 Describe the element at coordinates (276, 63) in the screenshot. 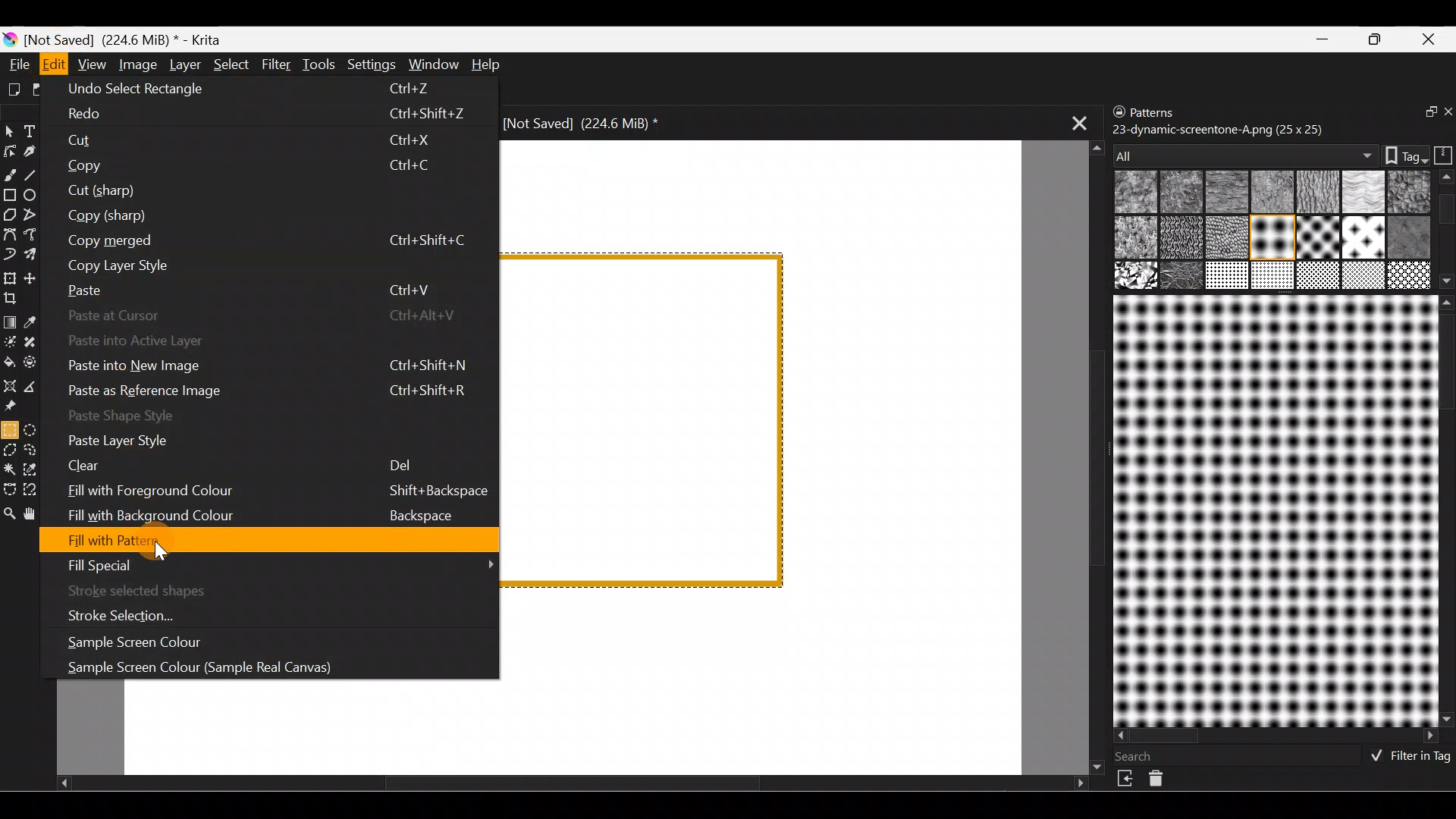

I see `Filter` at that location.